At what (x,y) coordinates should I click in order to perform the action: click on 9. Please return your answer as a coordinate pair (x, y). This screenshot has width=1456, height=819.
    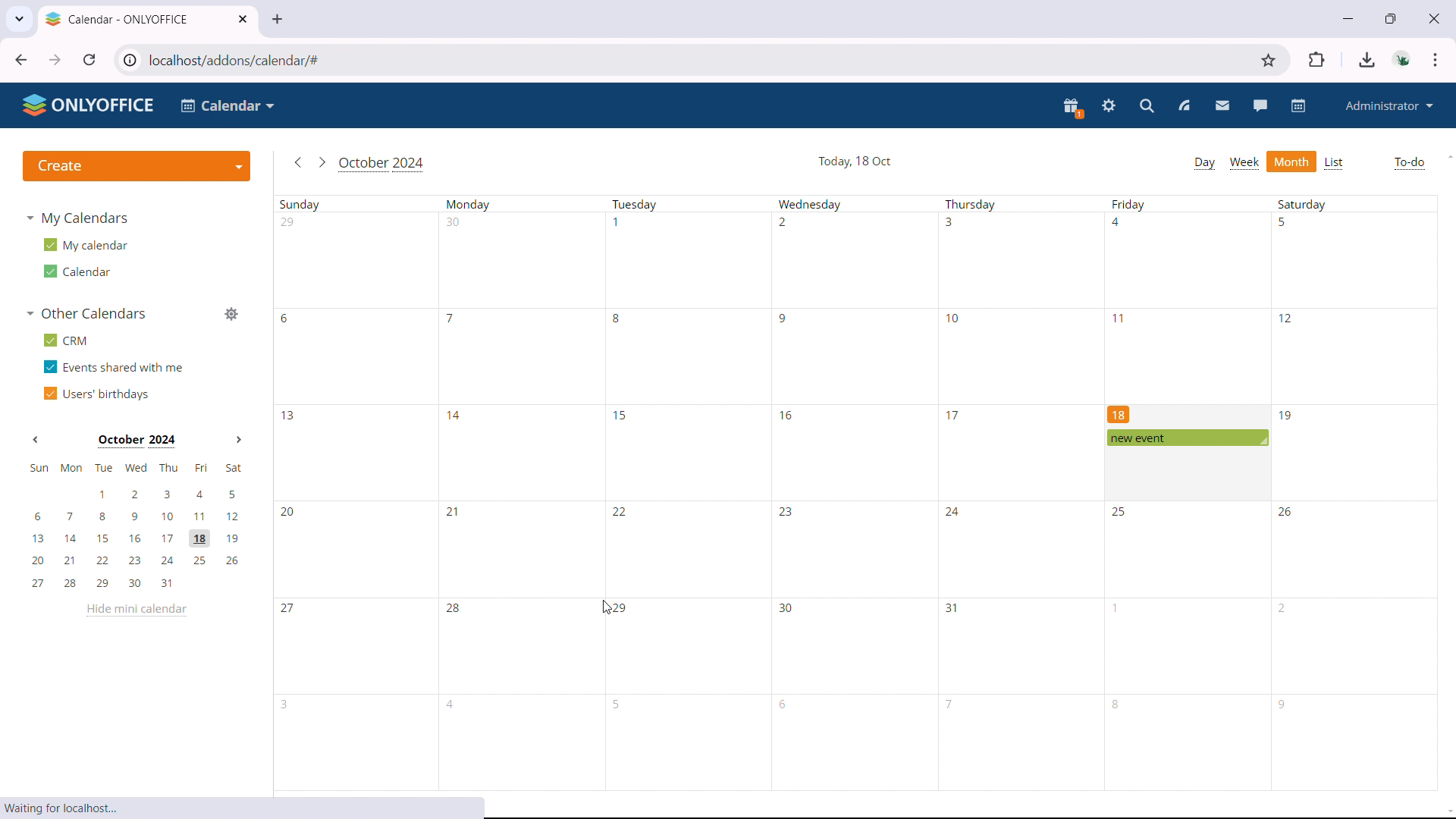
    Looking at the image, I should click on (1282, 705).